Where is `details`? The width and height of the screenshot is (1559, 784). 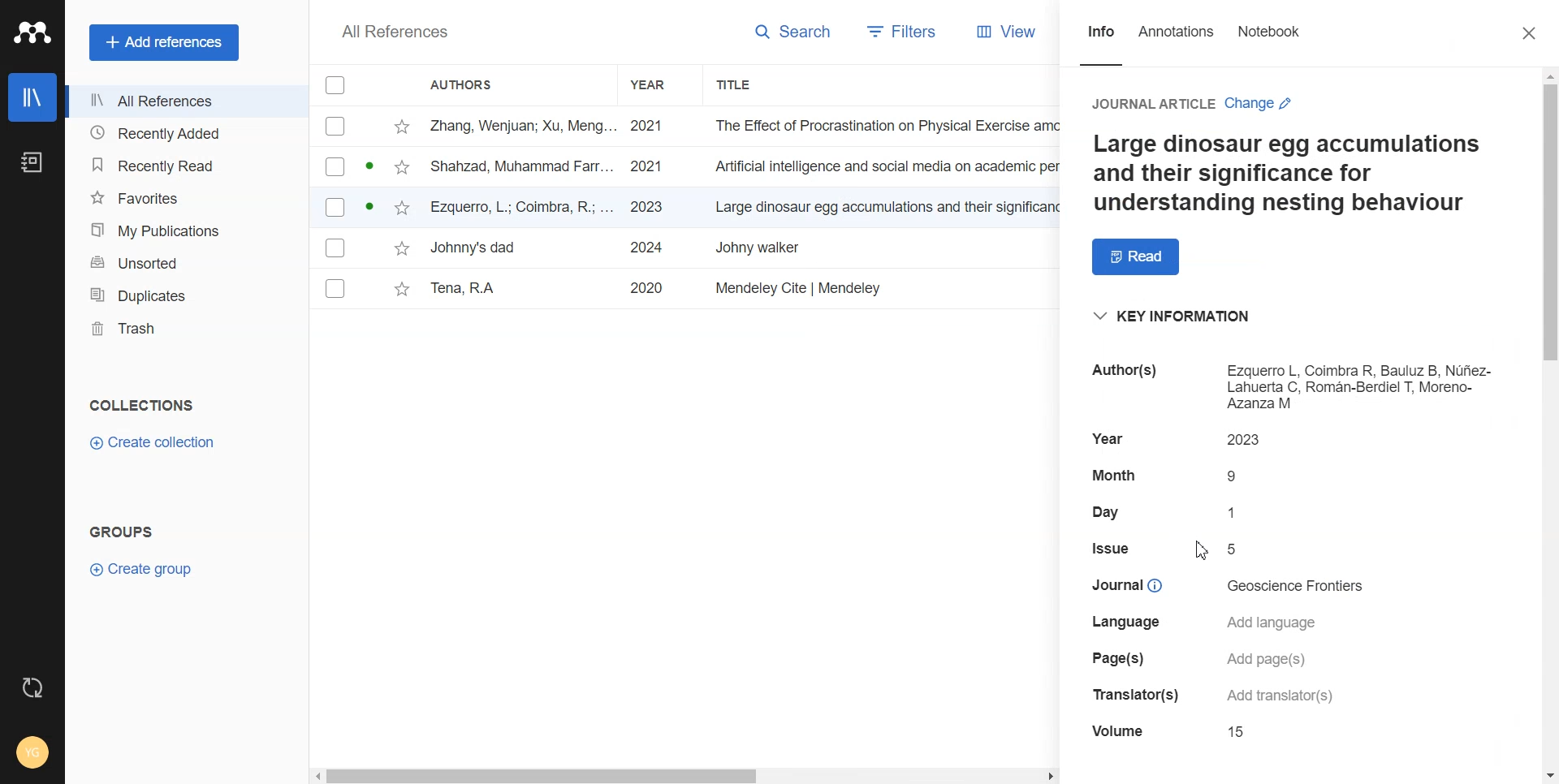 details is located at coordinates (1122, 370).